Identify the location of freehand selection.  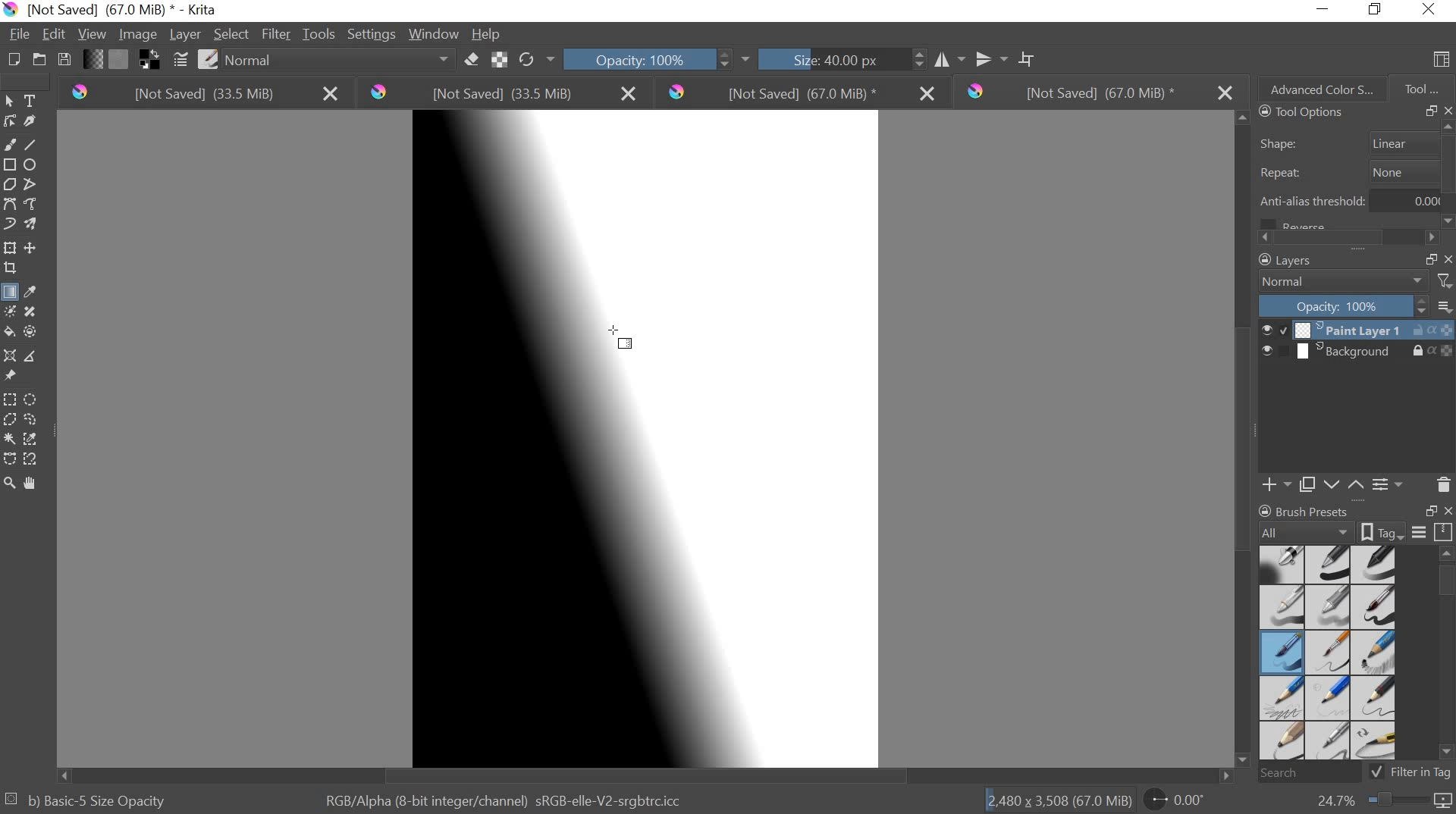
(33, 421).